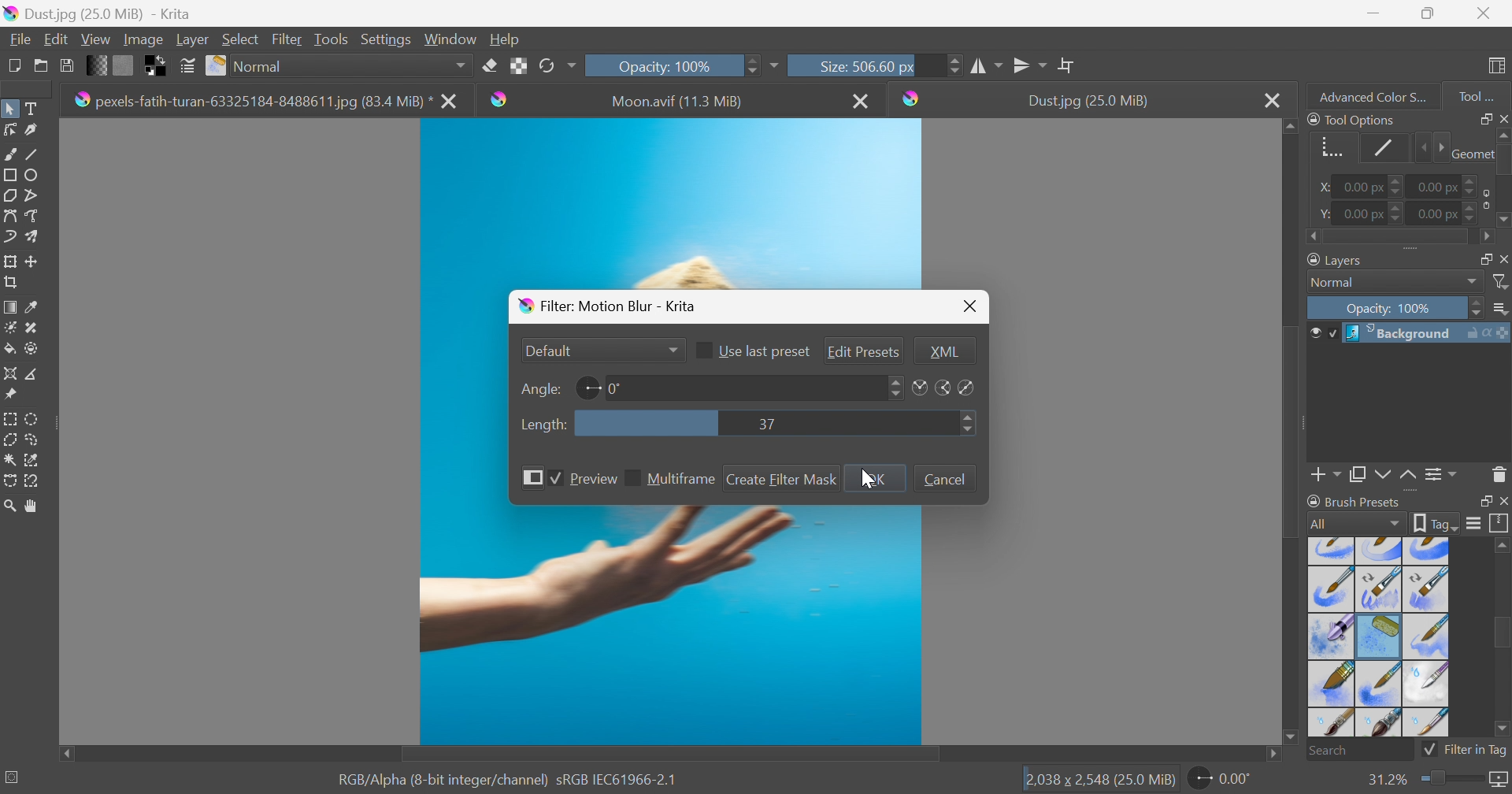  What do you see at coordinates (1272, 100) in the screenshot?
I see `Close` at bounding box center [1272, 100].